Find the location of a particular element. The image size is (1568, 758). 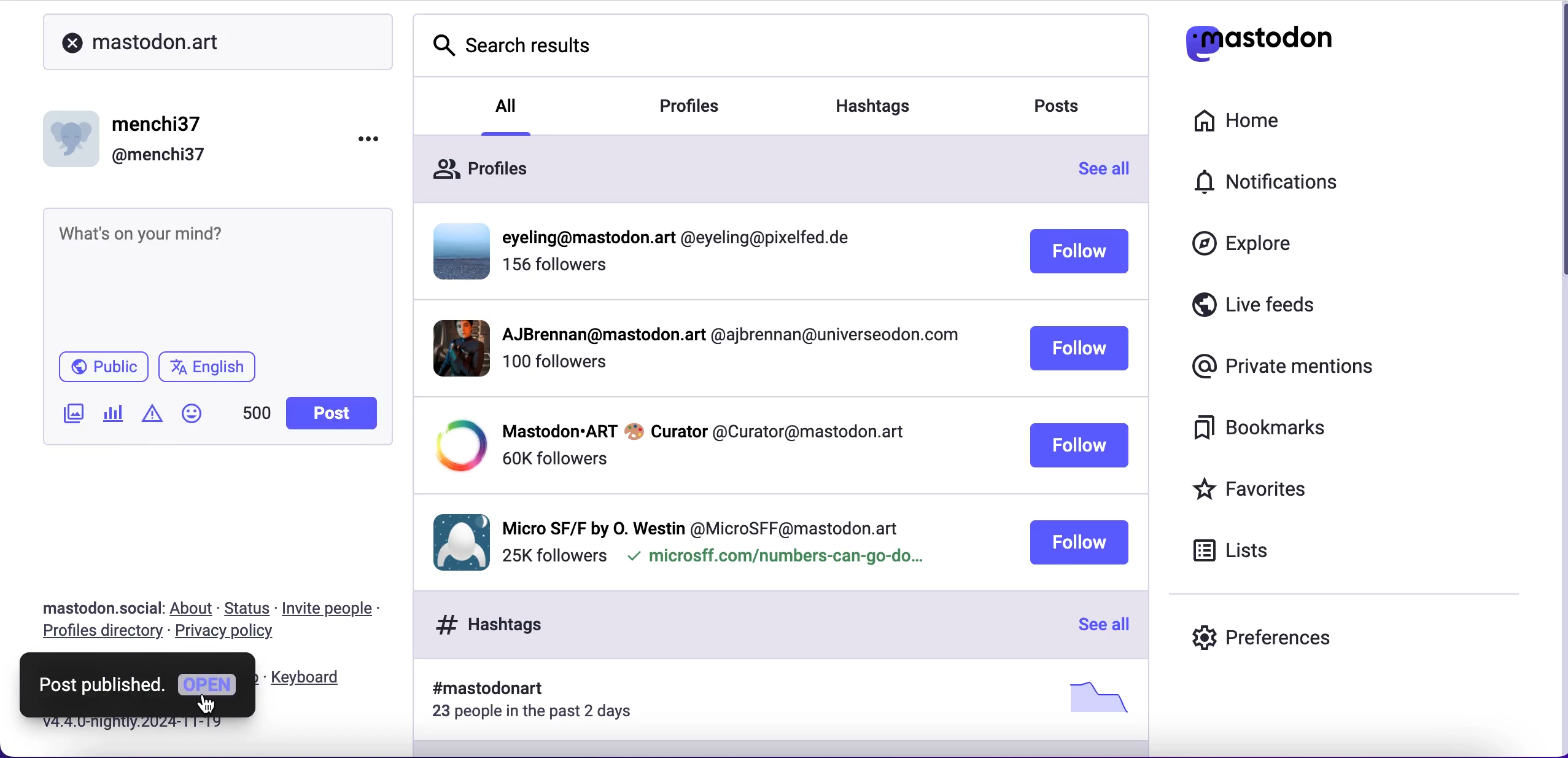

profile is located at coordinates (703, 430).